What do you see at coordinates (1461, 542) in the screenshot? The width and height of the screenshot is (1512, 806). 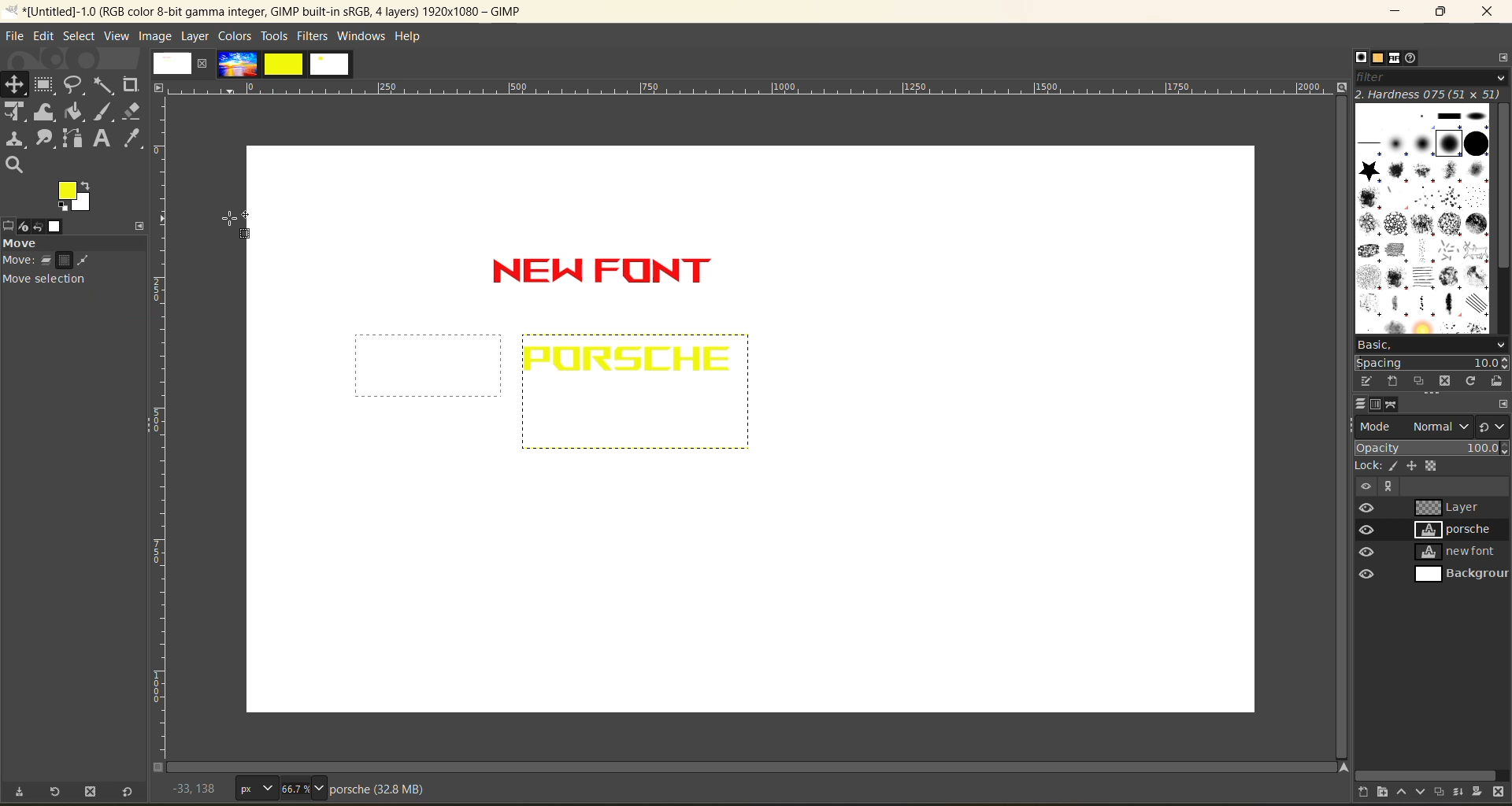 I see `layers` at bounding box center [1461, 542].